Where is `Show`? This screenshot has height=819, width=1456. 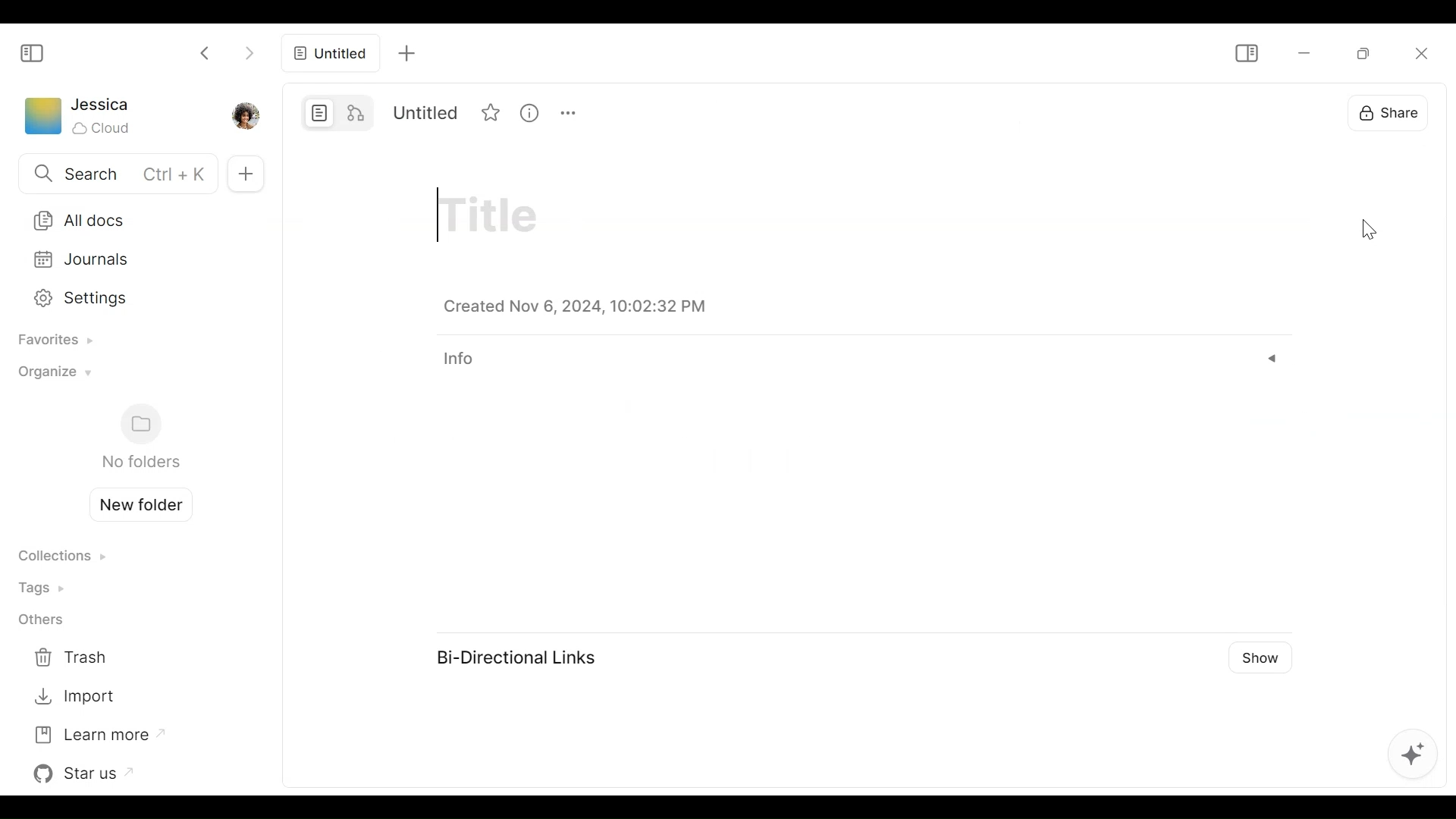 Show is located at coordinates (1259, 657).